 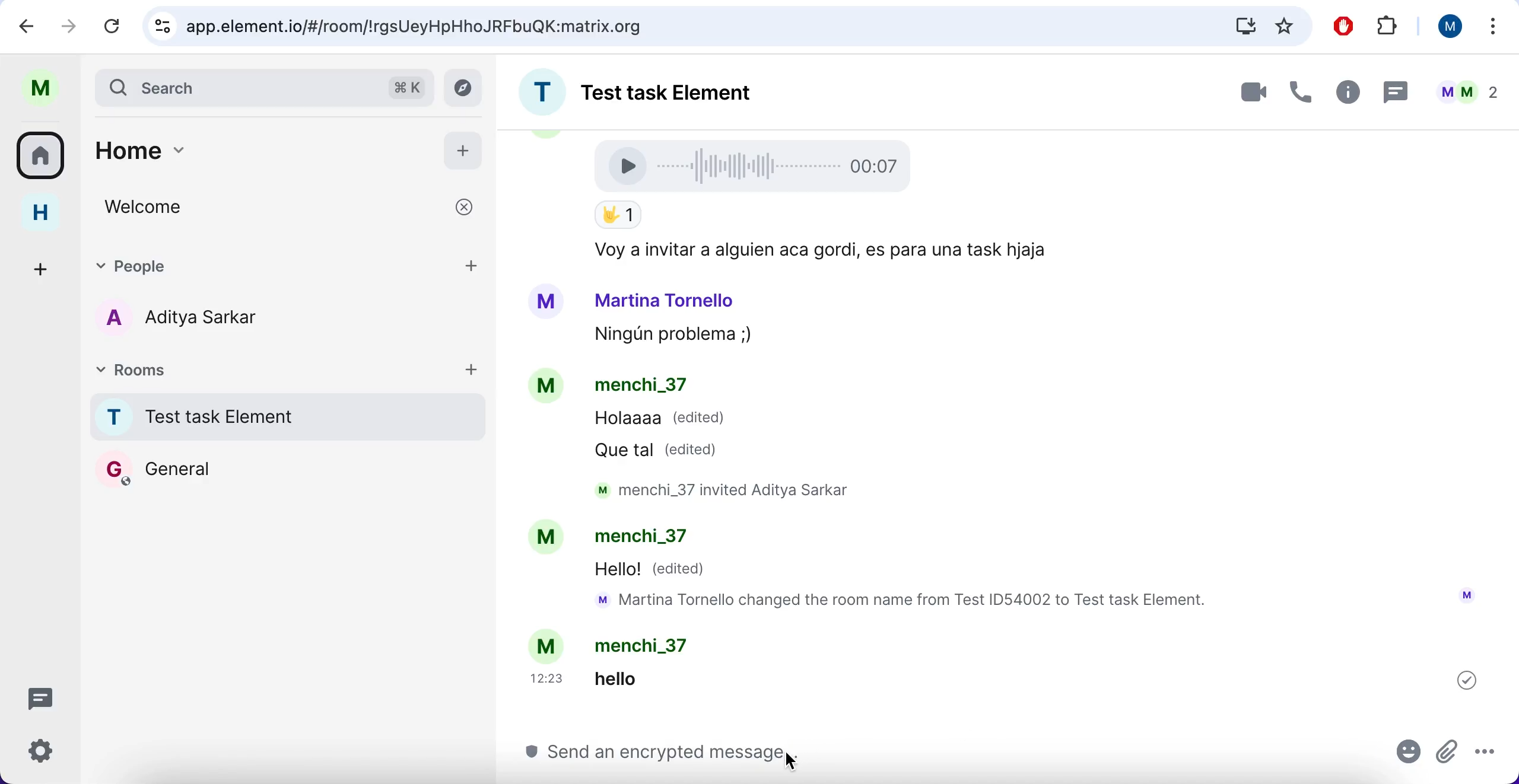 I want to click on user, so click(x=1445, y=26).